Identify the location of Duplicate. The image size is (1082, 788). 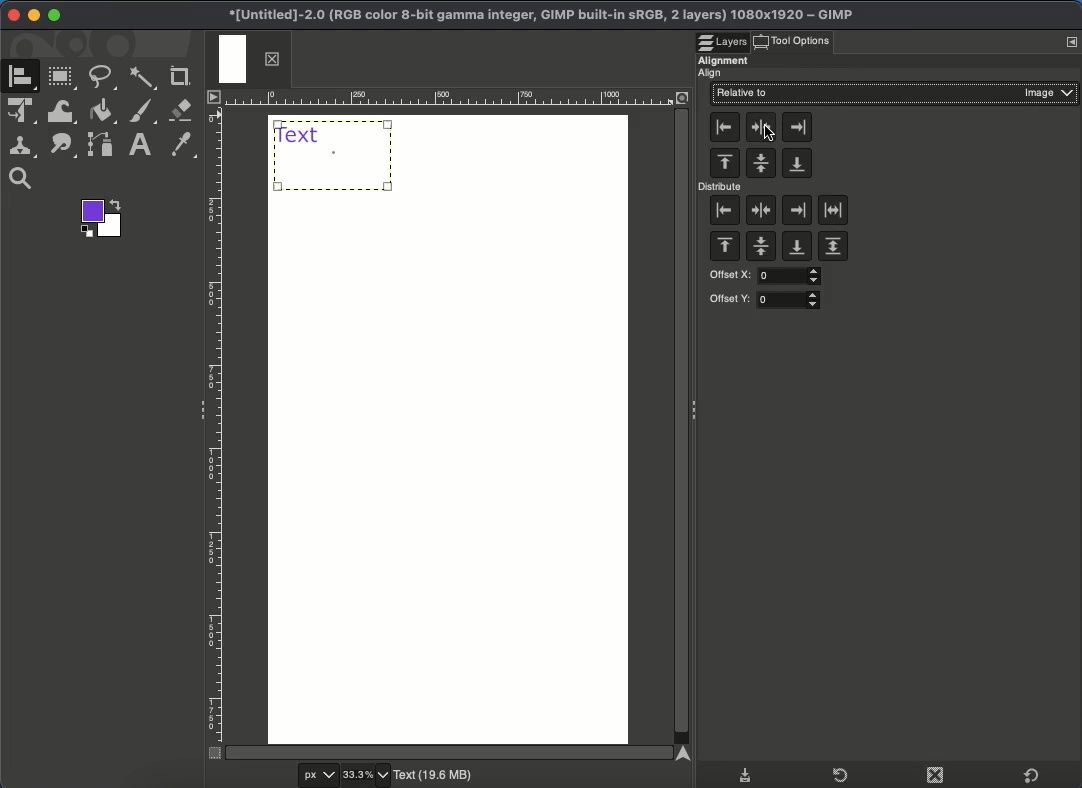
(934, 777).